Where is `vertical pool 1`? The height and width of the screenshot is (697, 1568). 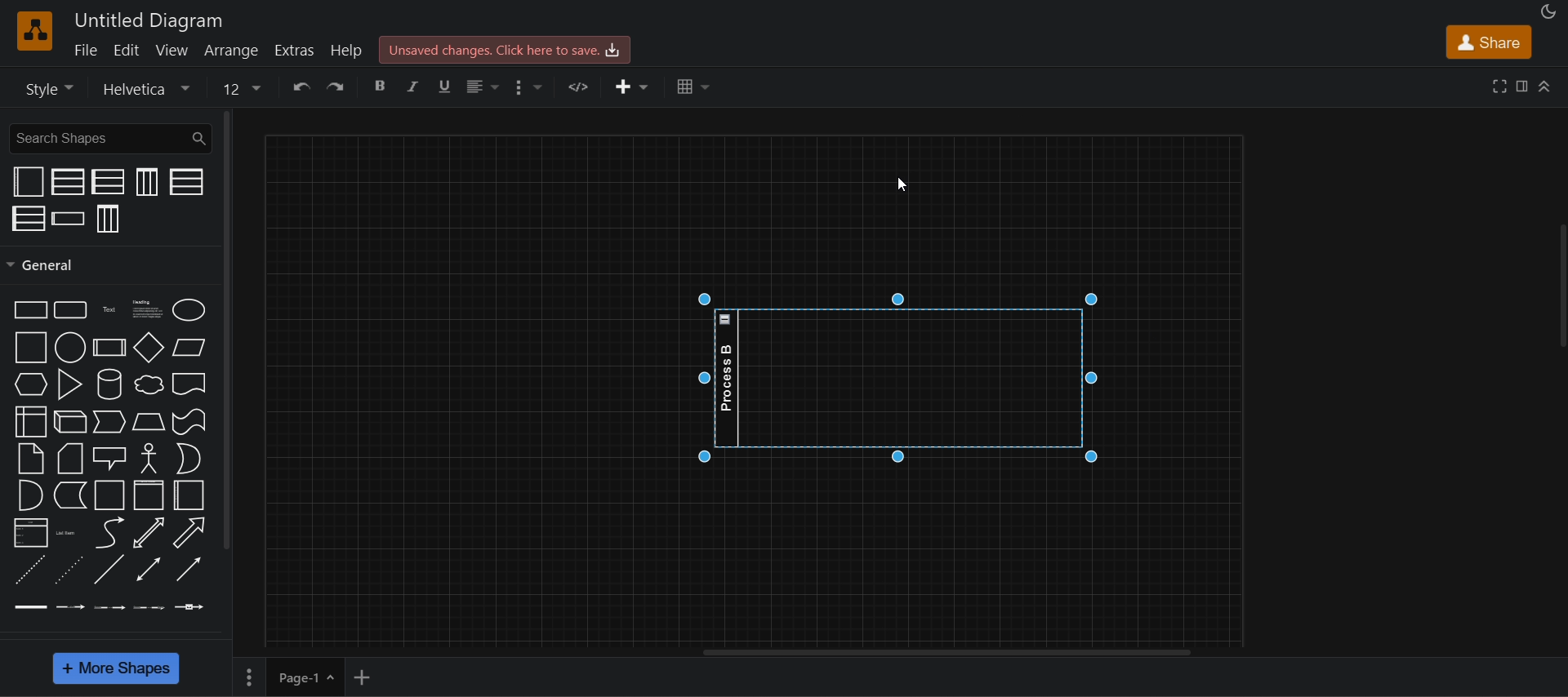
vertical pool 1 is located at coordinates (145, 182).